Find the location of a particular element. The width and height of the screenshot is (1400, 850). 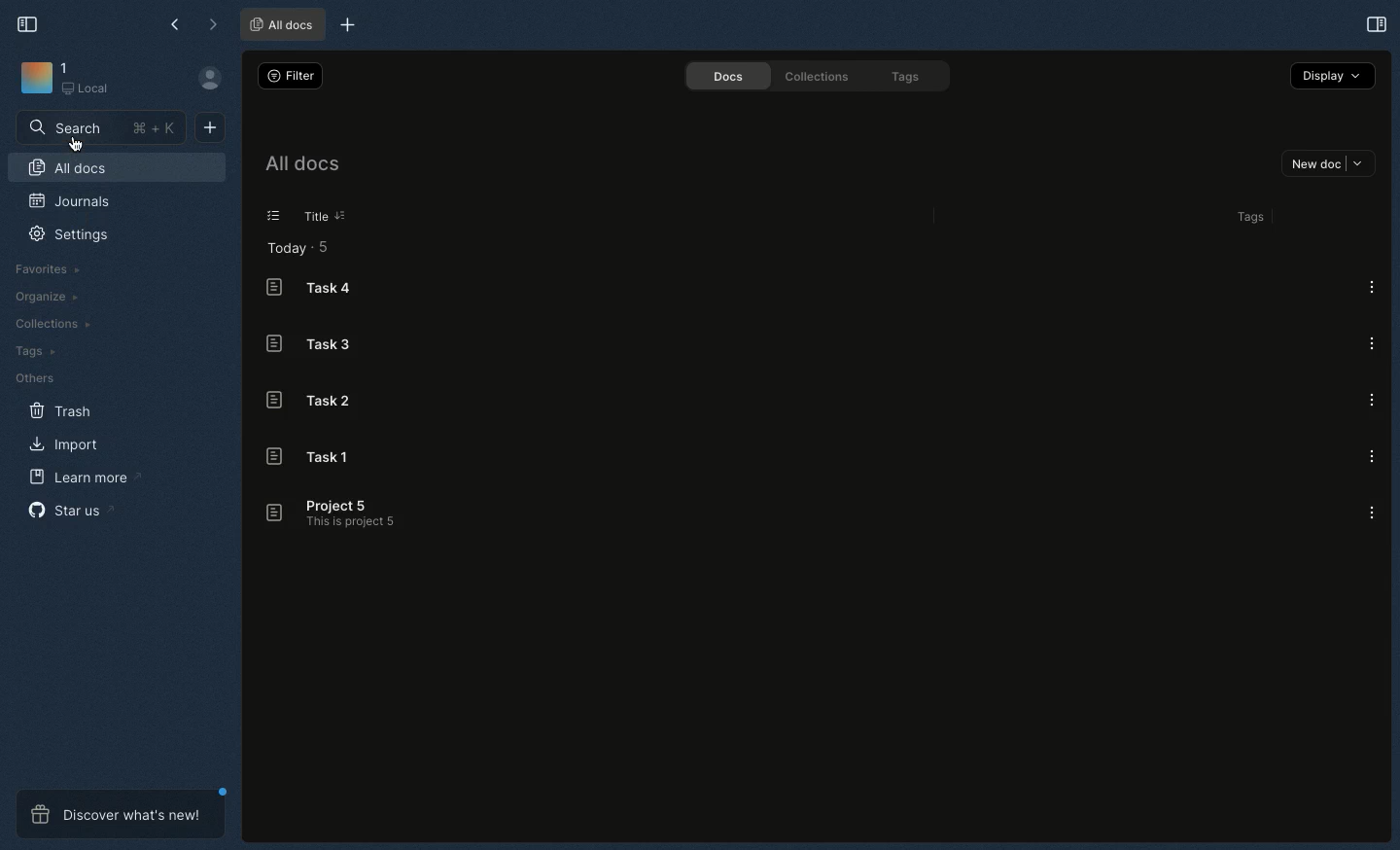

Task 1 is located at coordinates (312, 457).